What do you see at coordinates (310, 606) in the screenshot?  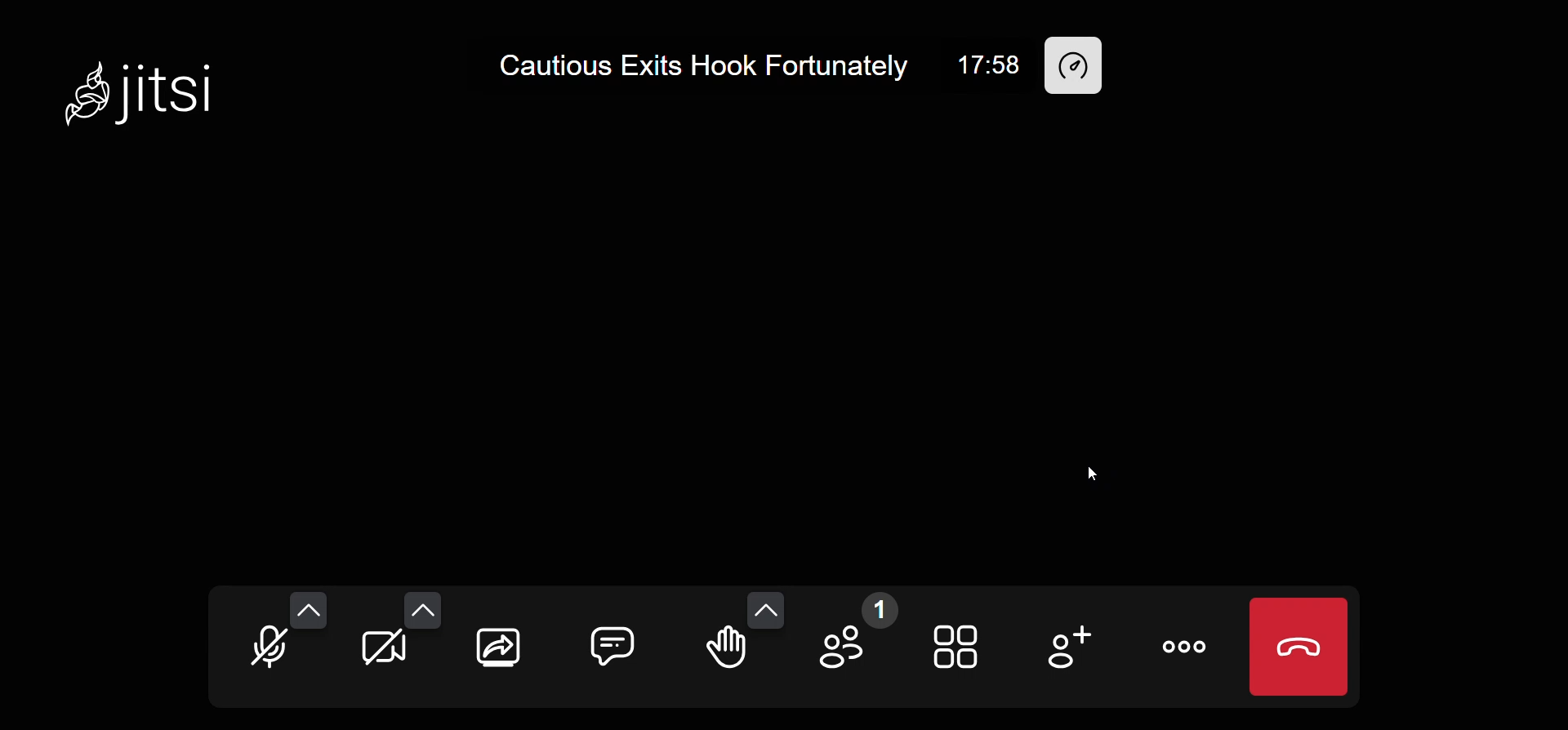 I see `more microphone option` at bounding box center [310, 606].